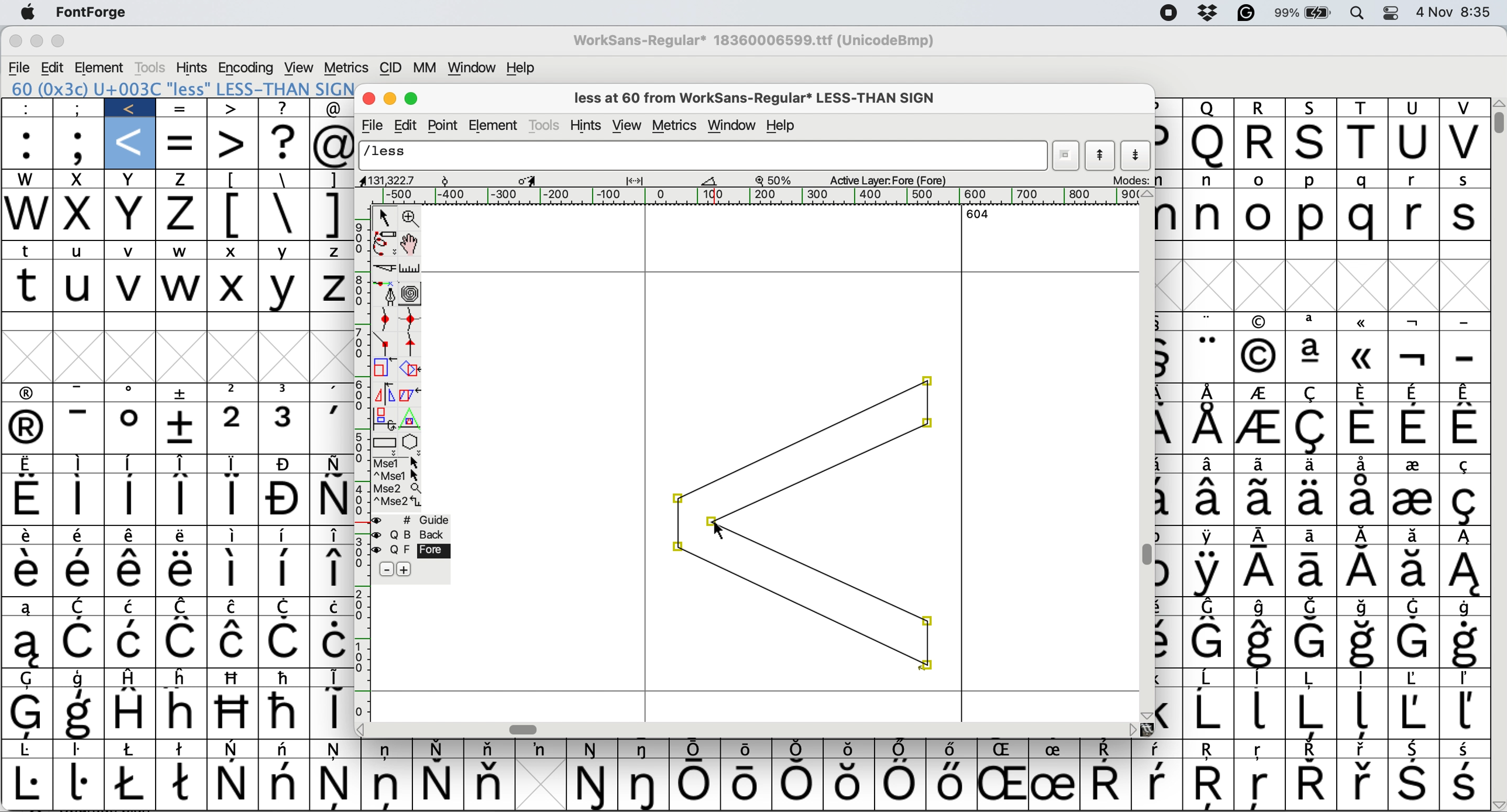  What do you see at coordinates (473, 67) in the screenshot?
I see `window` at bounding box center [473, 67].